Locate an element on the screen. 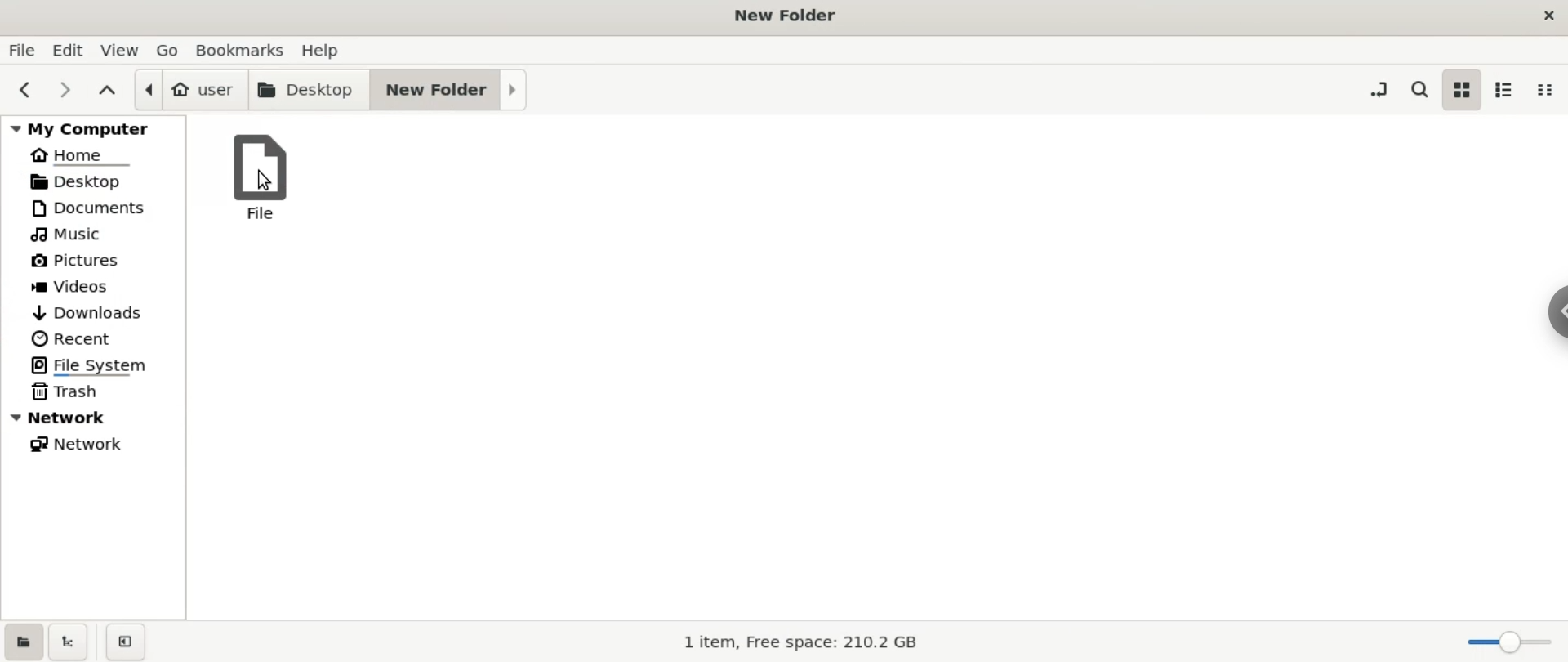 The image size is (1568, 662). toggle location entry is located at coordinates (1379, 88).